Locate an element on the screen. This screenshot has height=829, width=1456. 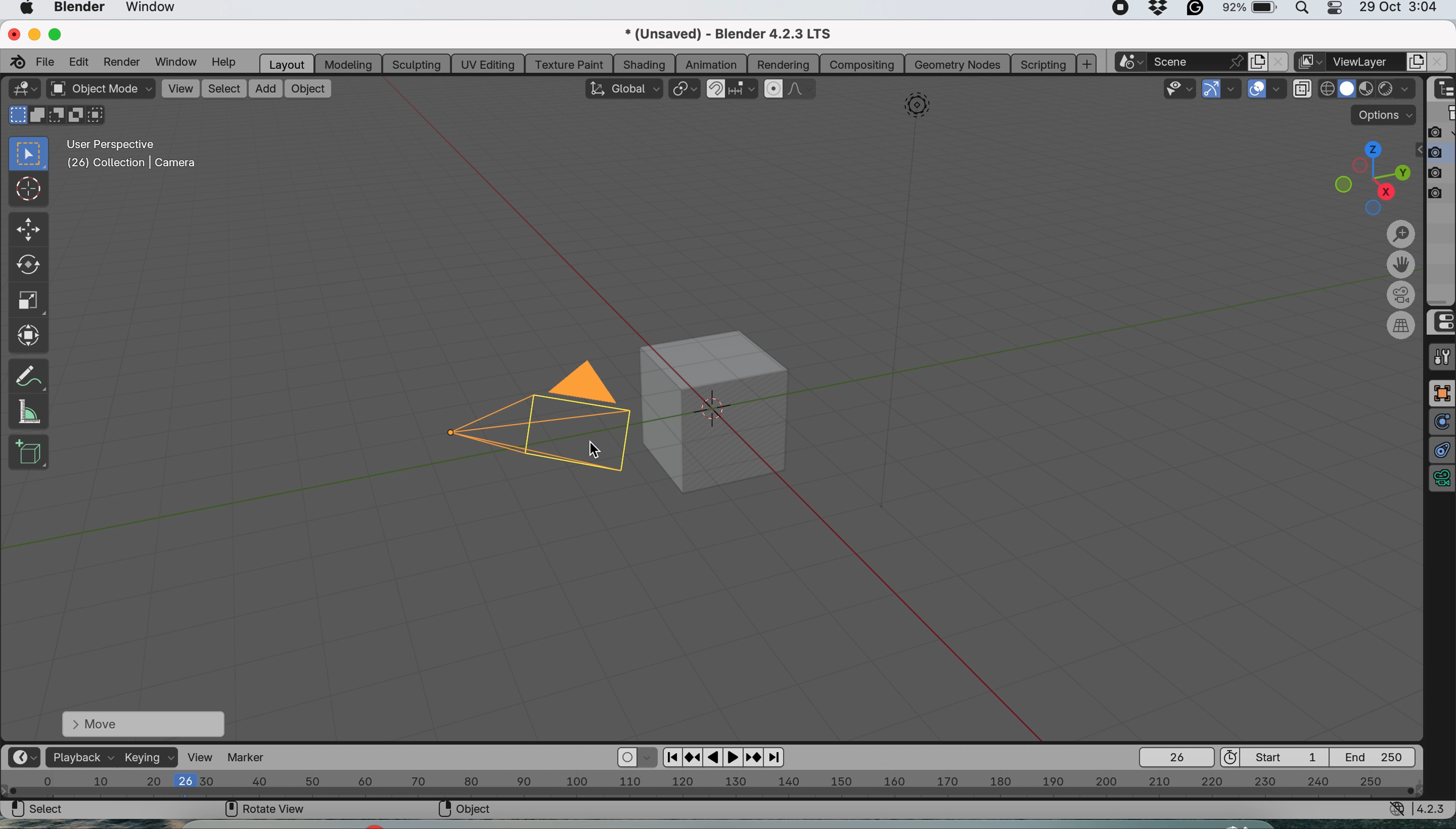
transform pivot point is located at coordinates (684, 89).